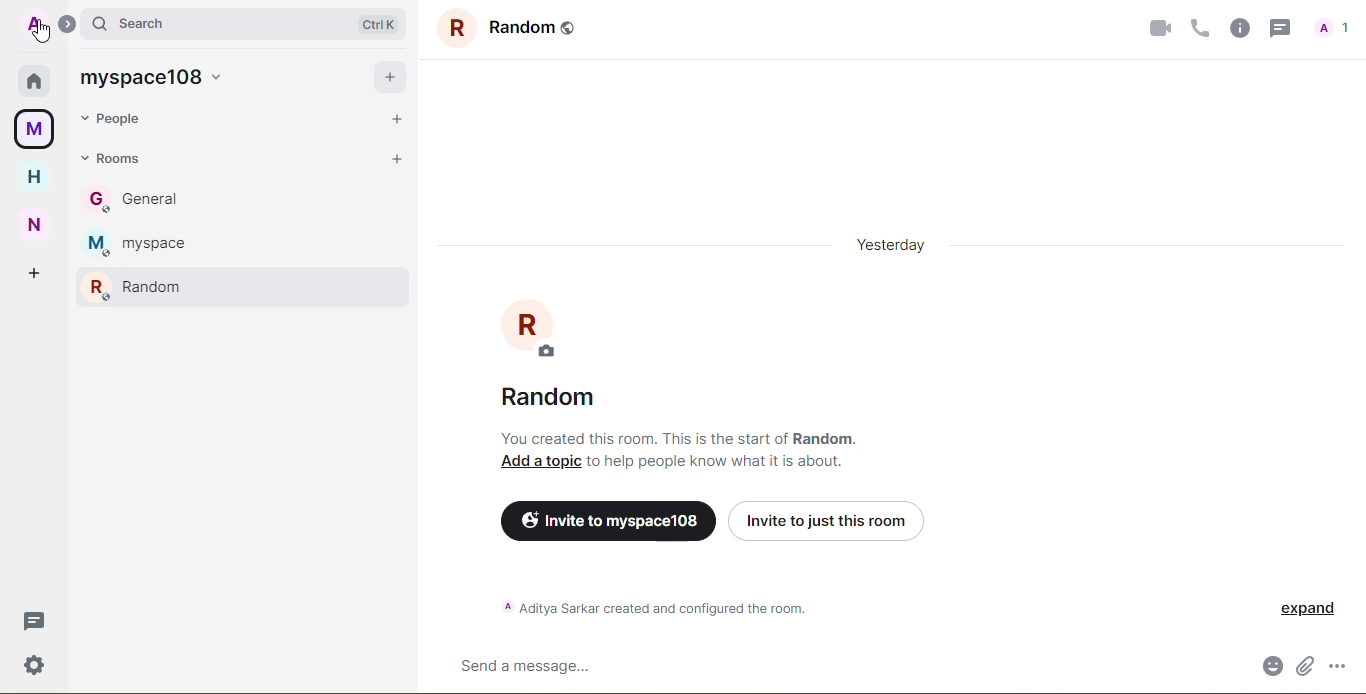 This screenshot has height=694, width=1366. Describe the element at coordinates (37, 129) in the screenshot. I see `myspace` at that location.